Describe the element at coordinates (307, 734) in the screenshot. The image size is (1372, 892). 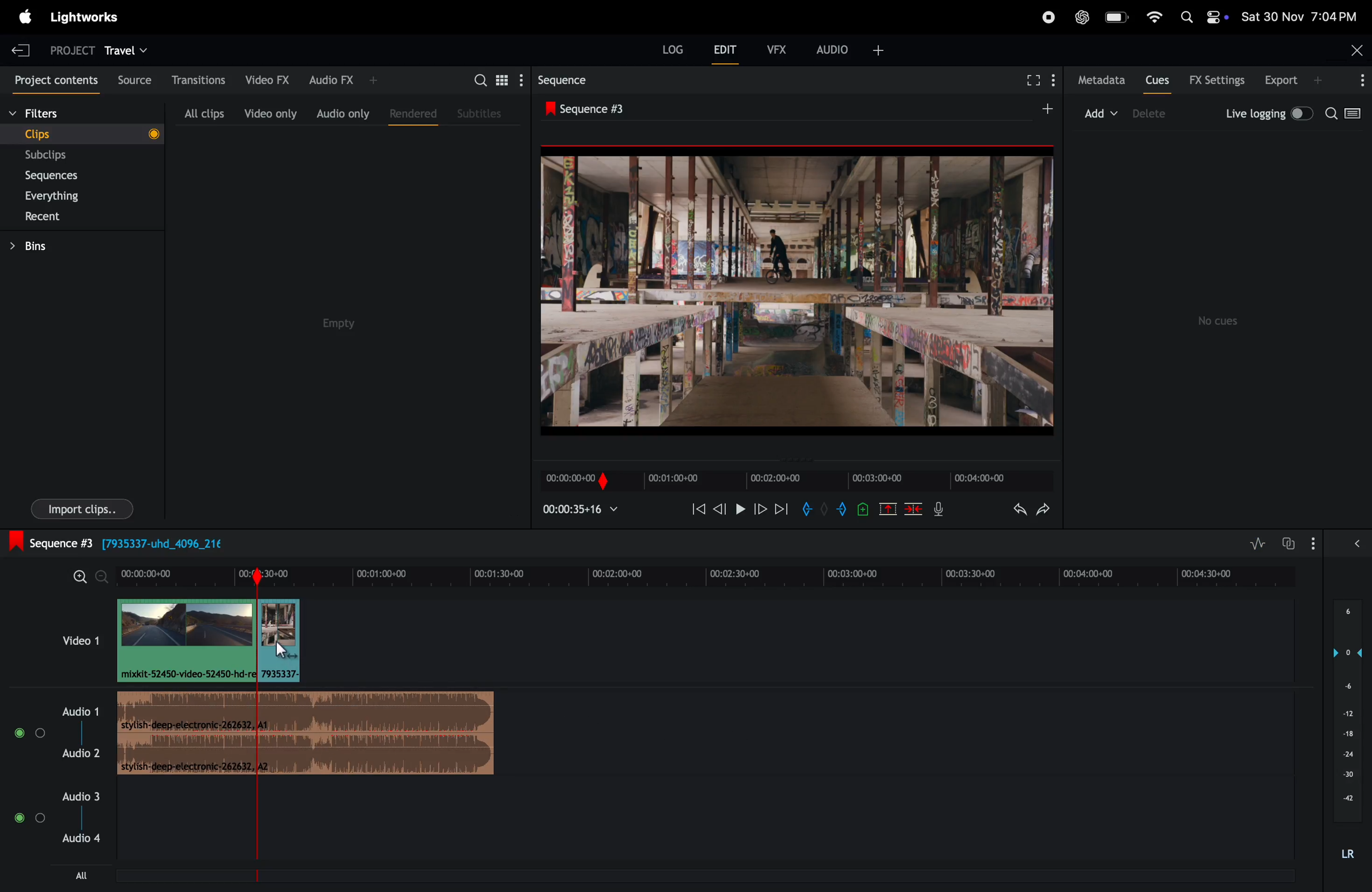
I see `sound track` at that location.